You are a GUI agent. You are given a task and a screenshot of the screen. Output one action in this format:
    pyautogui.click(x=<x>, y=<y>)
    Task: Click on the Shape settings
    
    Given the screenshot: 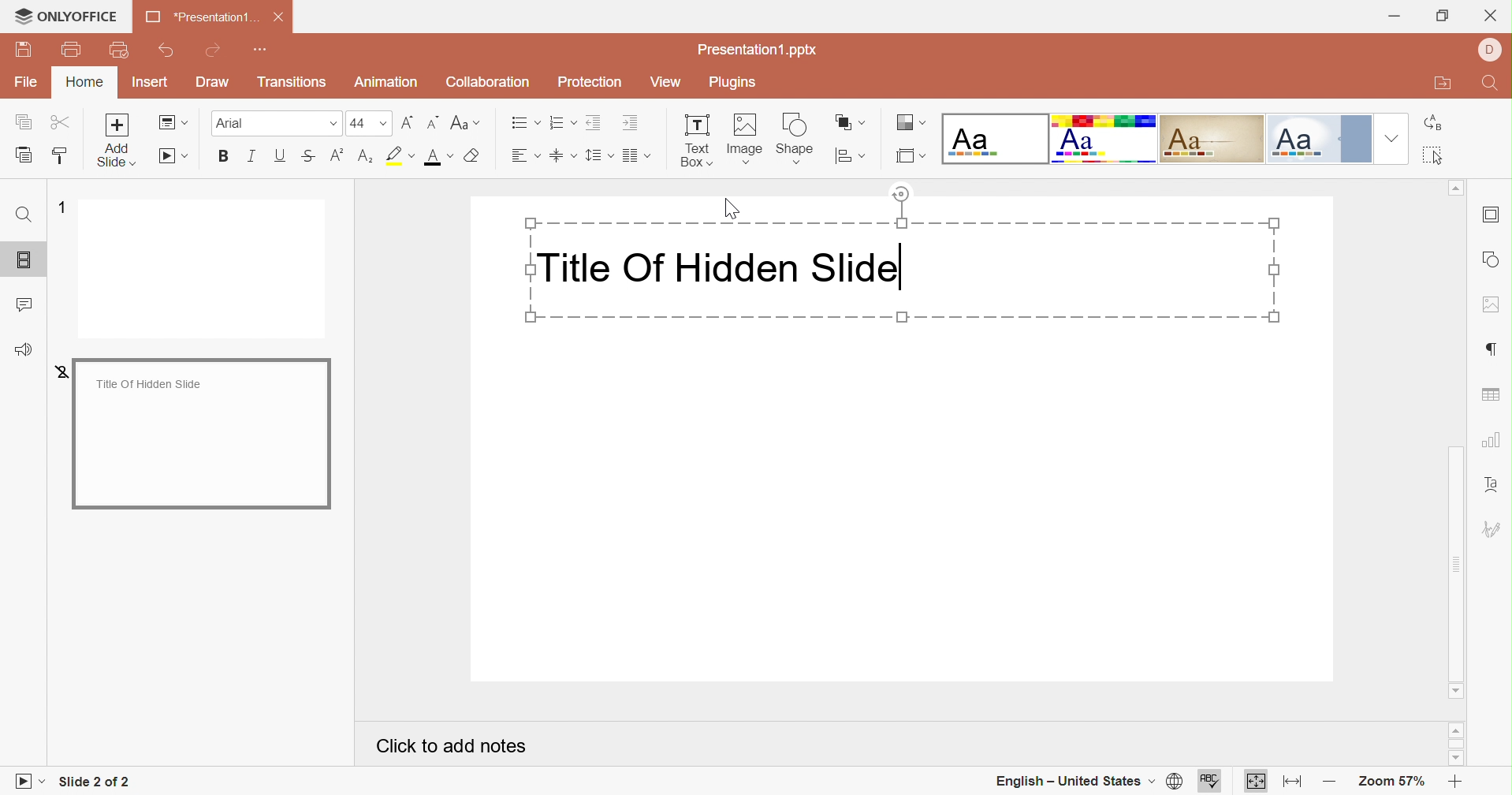 What is the action you would take?
    pyautogui.click(x=1491, y=259)
    